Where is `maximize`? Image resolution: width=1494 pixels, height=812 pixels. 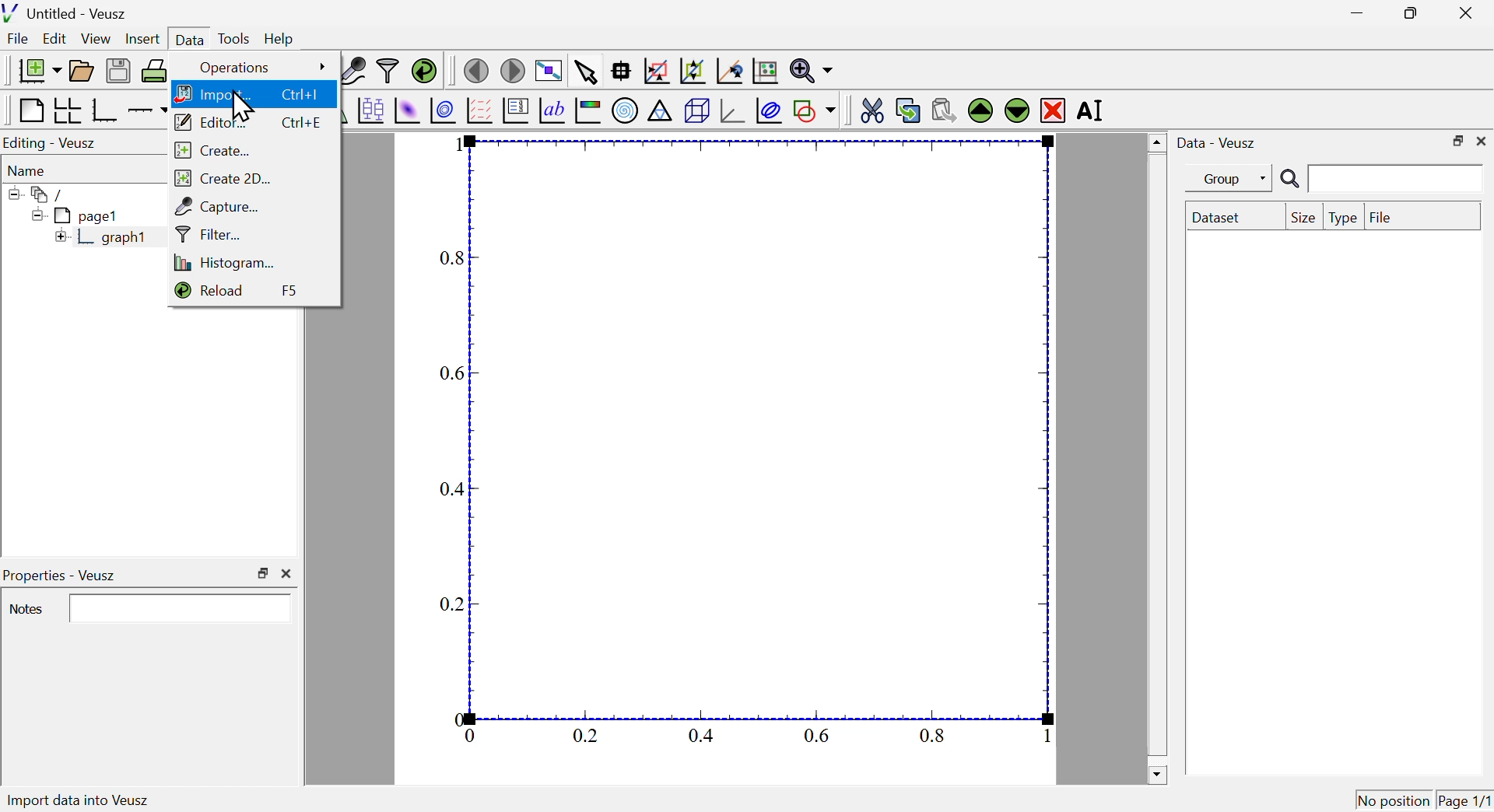 maximize is located at coordinates (1455, 140).